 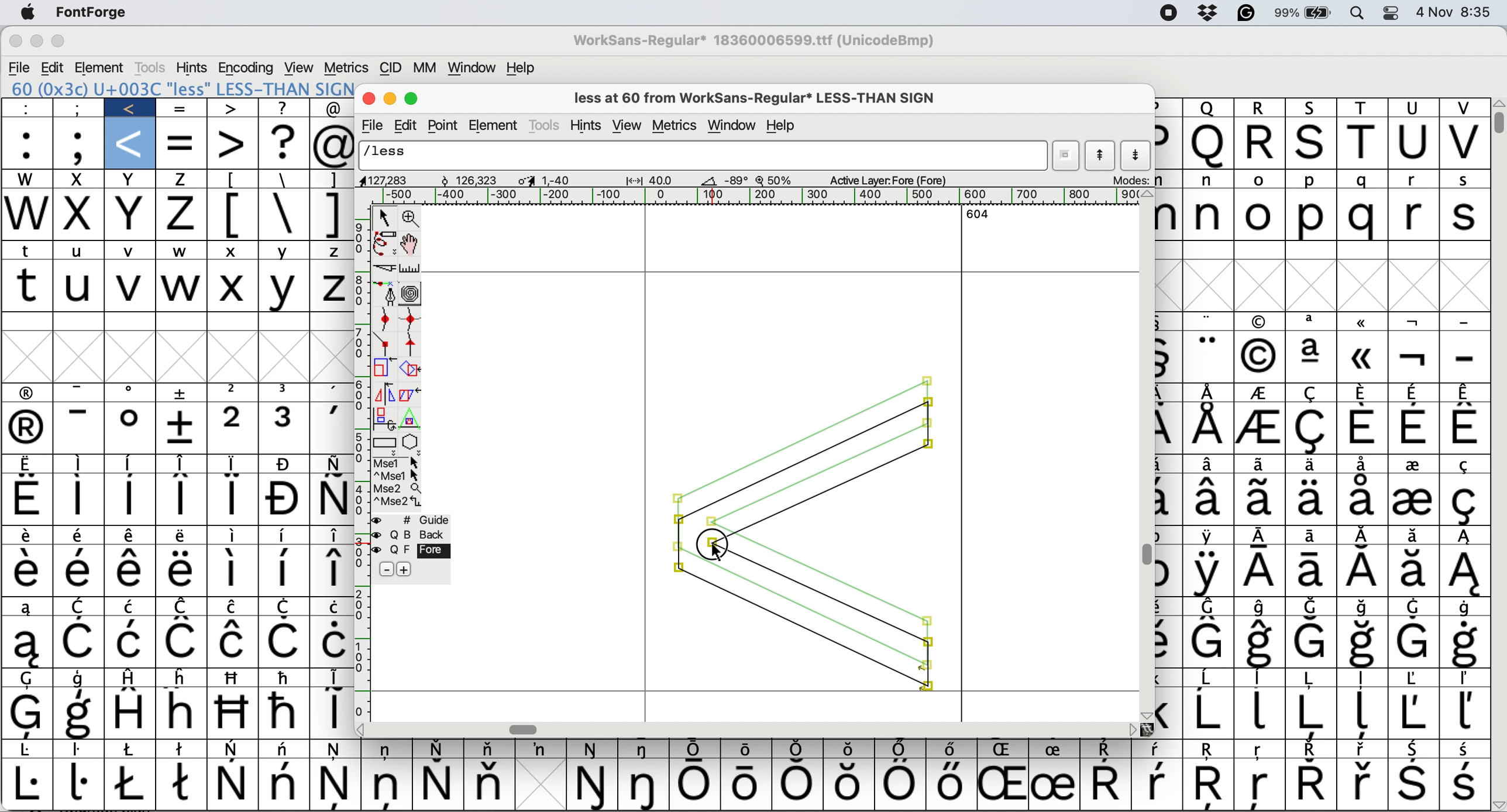 What do you see at coordinates (1363, 783) in the screenshot?
I see `Symbol` at bounding box center [1363, 783].